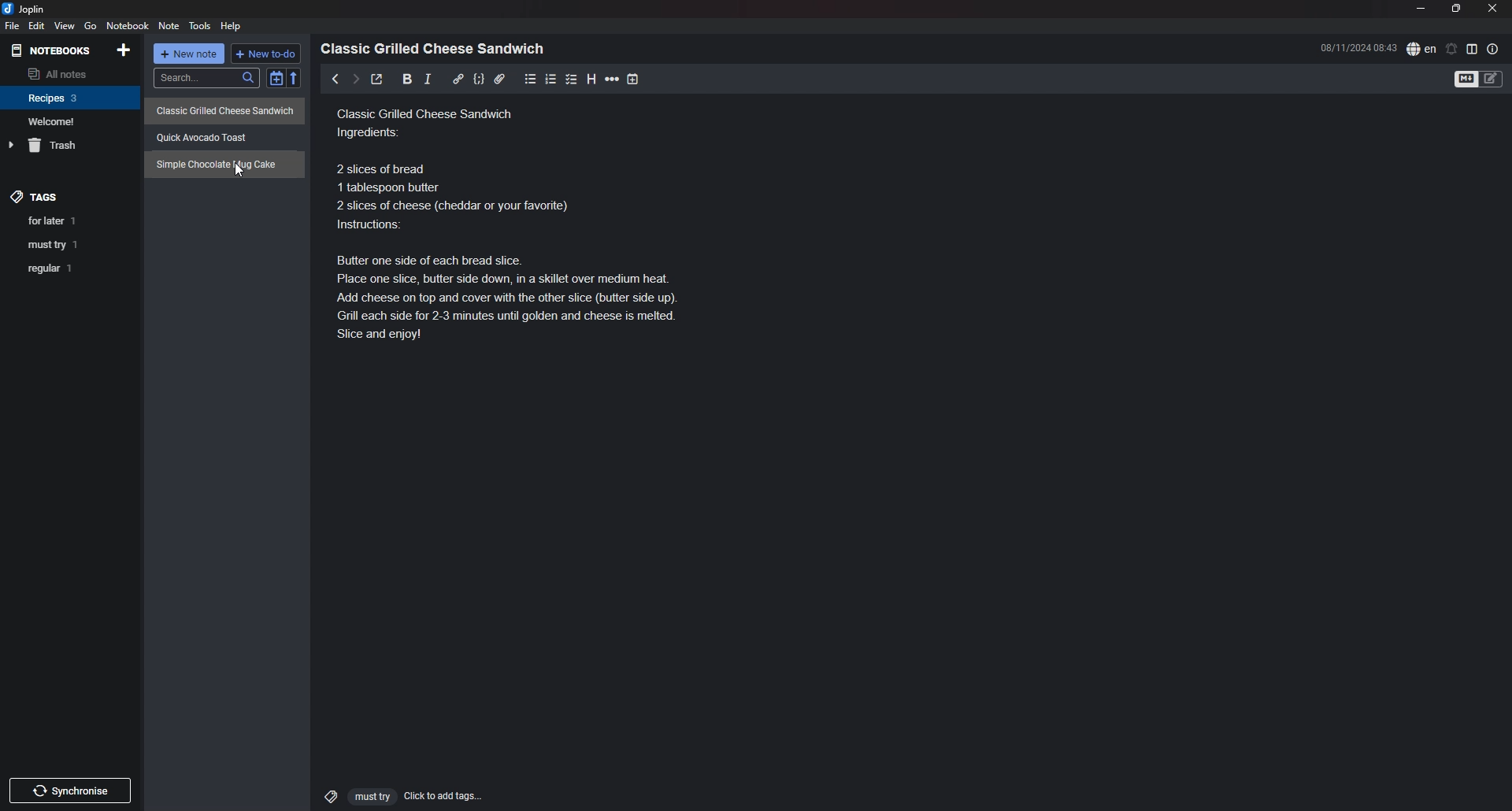 The width and height of the screenshot is (1512, 811). Describe the element at coordinates (72, 244) in the screenshot. I see `must try` at that location.